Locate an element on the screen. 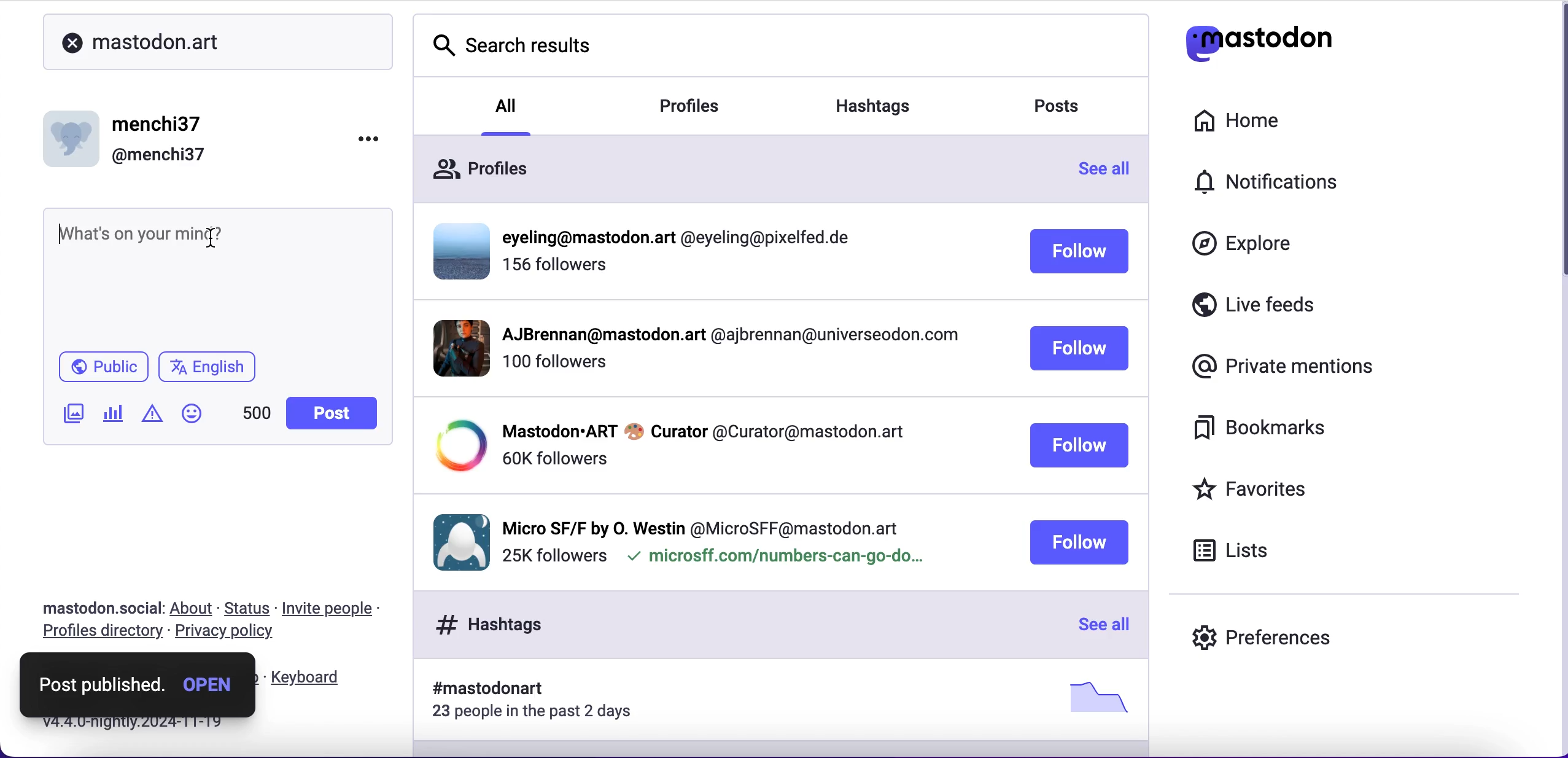  invite people is located at coordinates (332, 610).